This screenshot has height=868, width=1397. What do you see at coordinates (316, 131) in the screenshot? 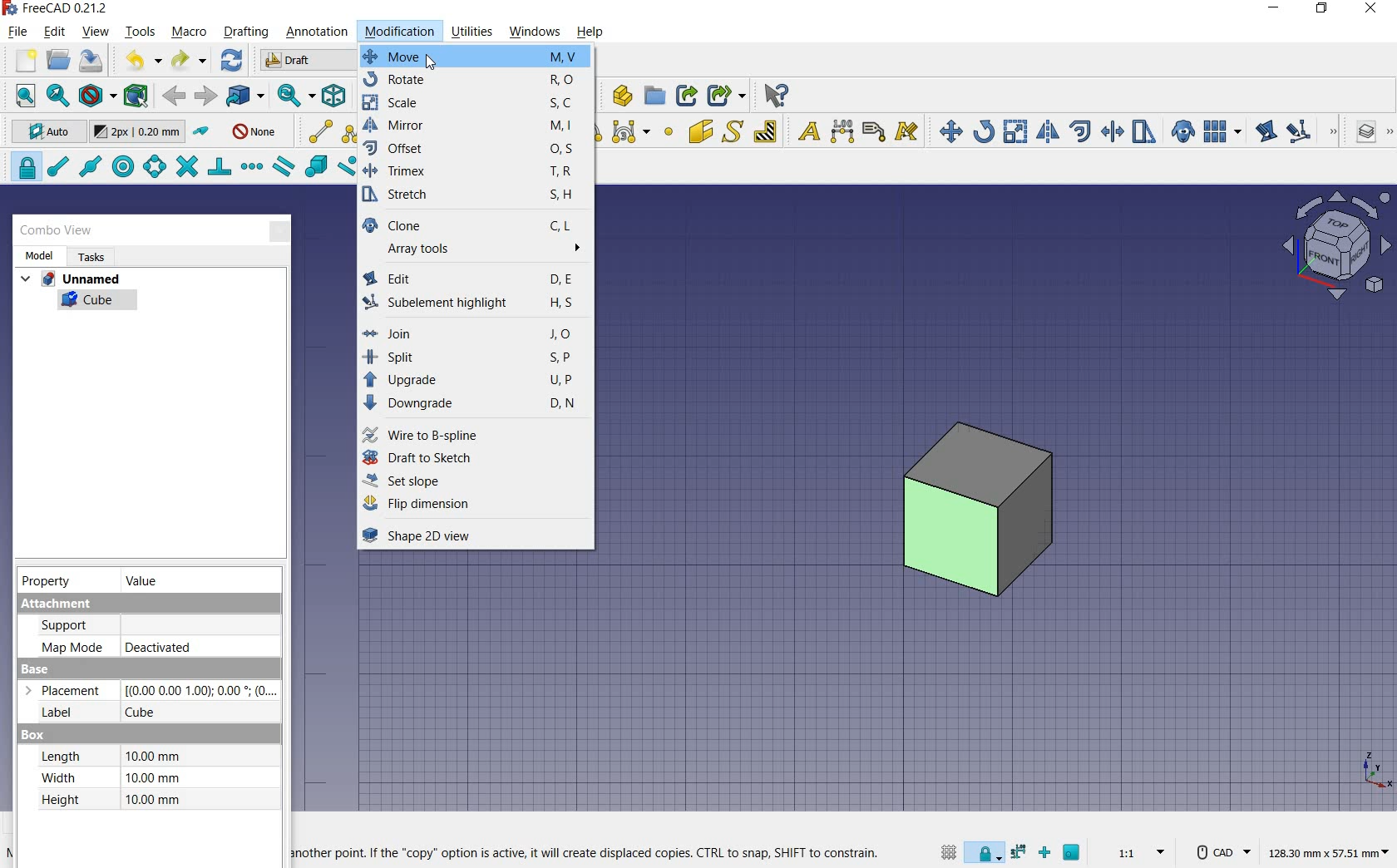
I see `line` at bounding box center [316, 131].